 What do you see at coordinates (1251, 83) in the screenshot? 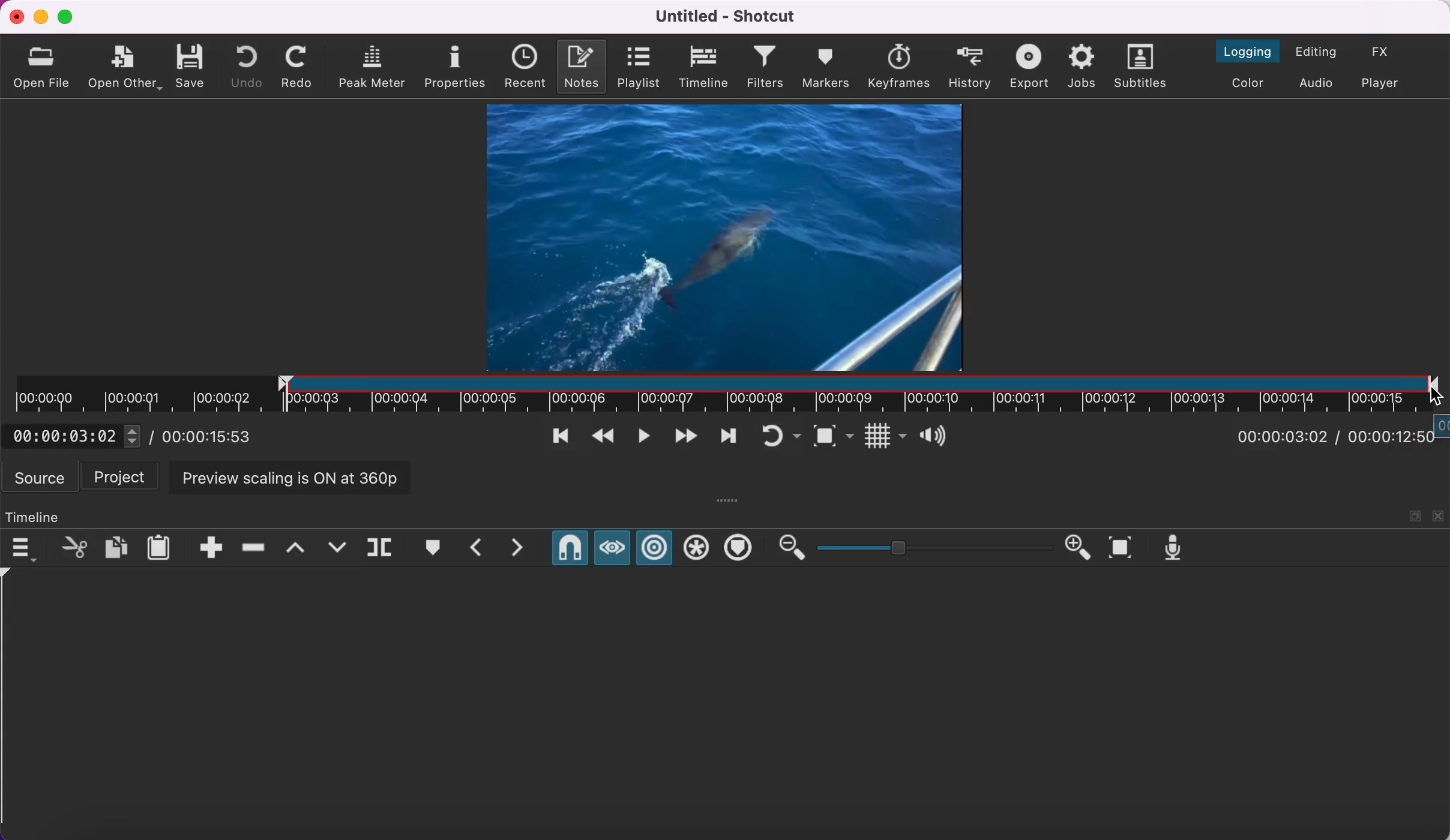
I see `switch to the color layout` at bounding box center [1251, 83].